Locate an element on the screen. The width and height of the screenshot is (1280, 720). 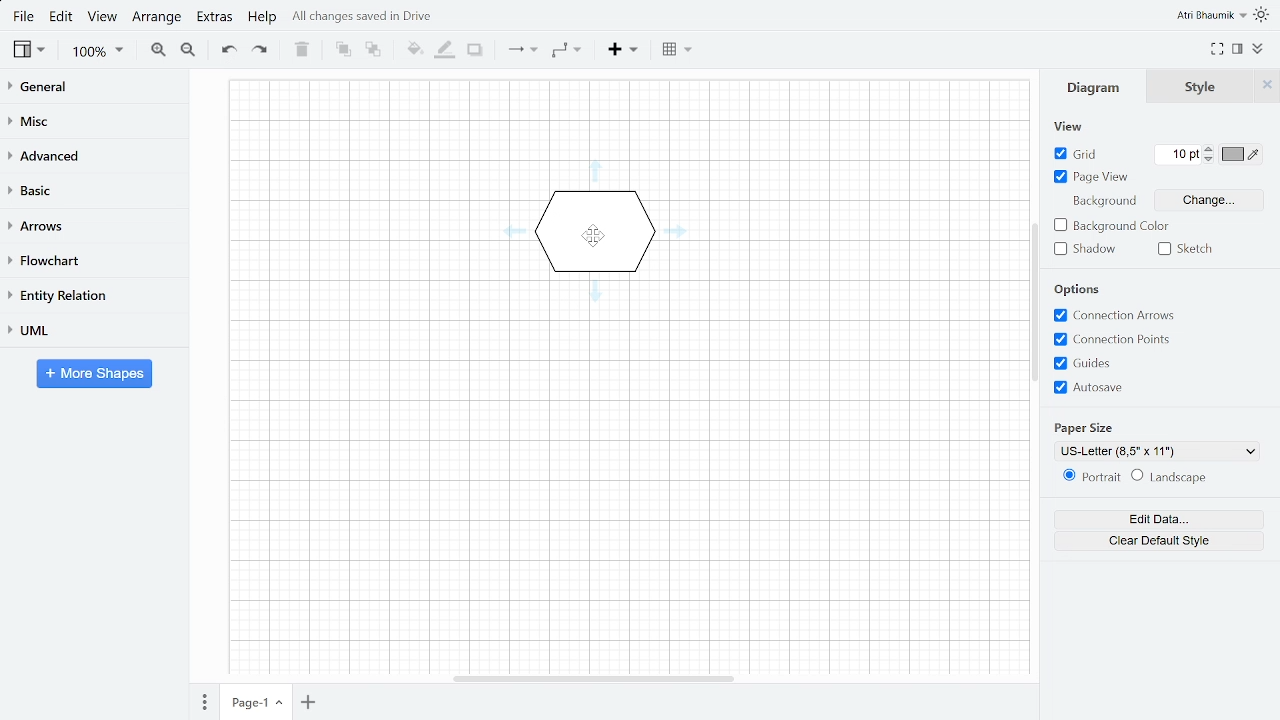
To front is located at coordinates (343, 51).